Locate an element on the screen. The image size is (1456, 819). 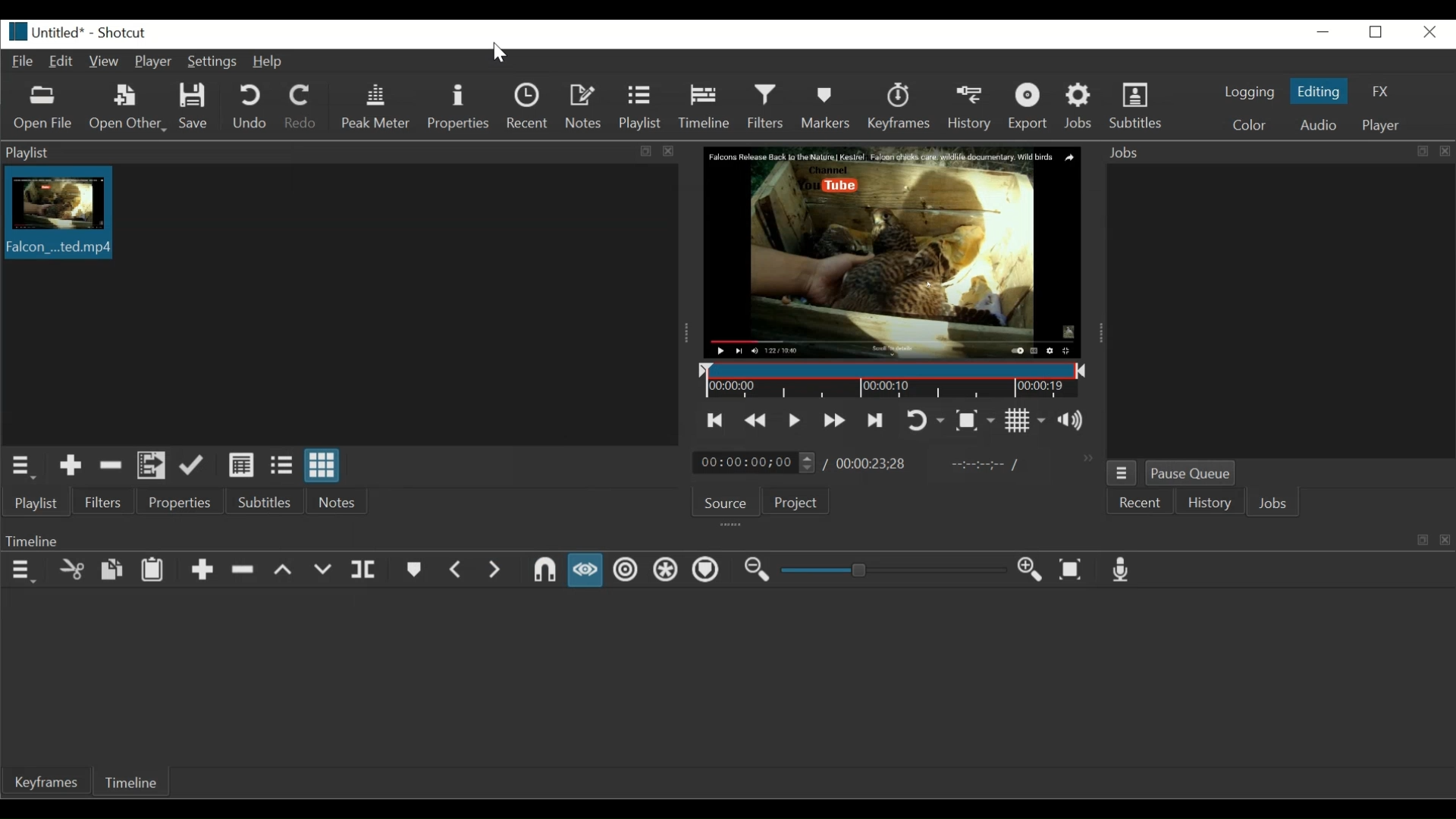
In point is located at coordinates (982, 465).